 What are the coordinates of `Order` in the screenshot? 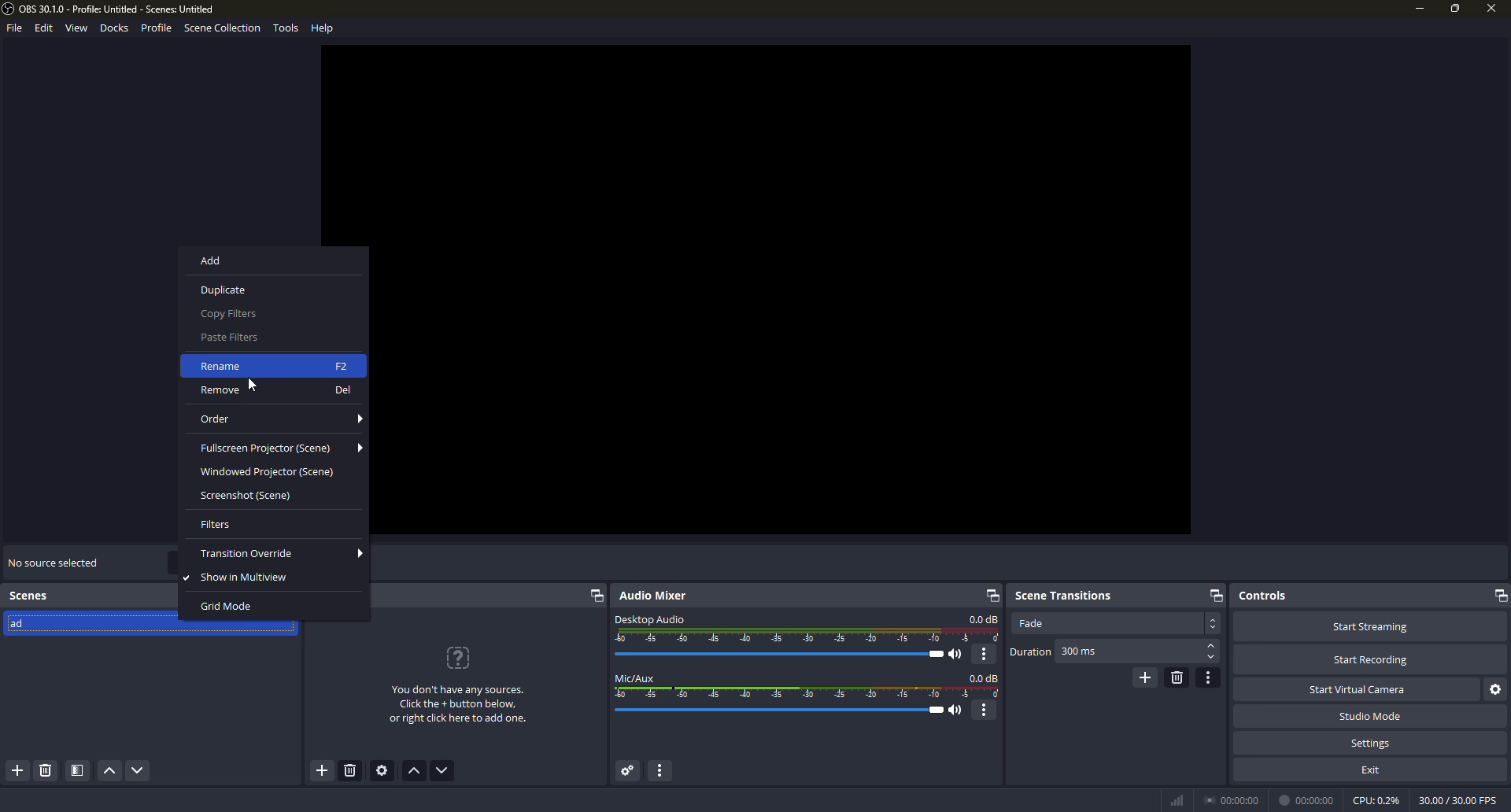 It's located at (278, 418).